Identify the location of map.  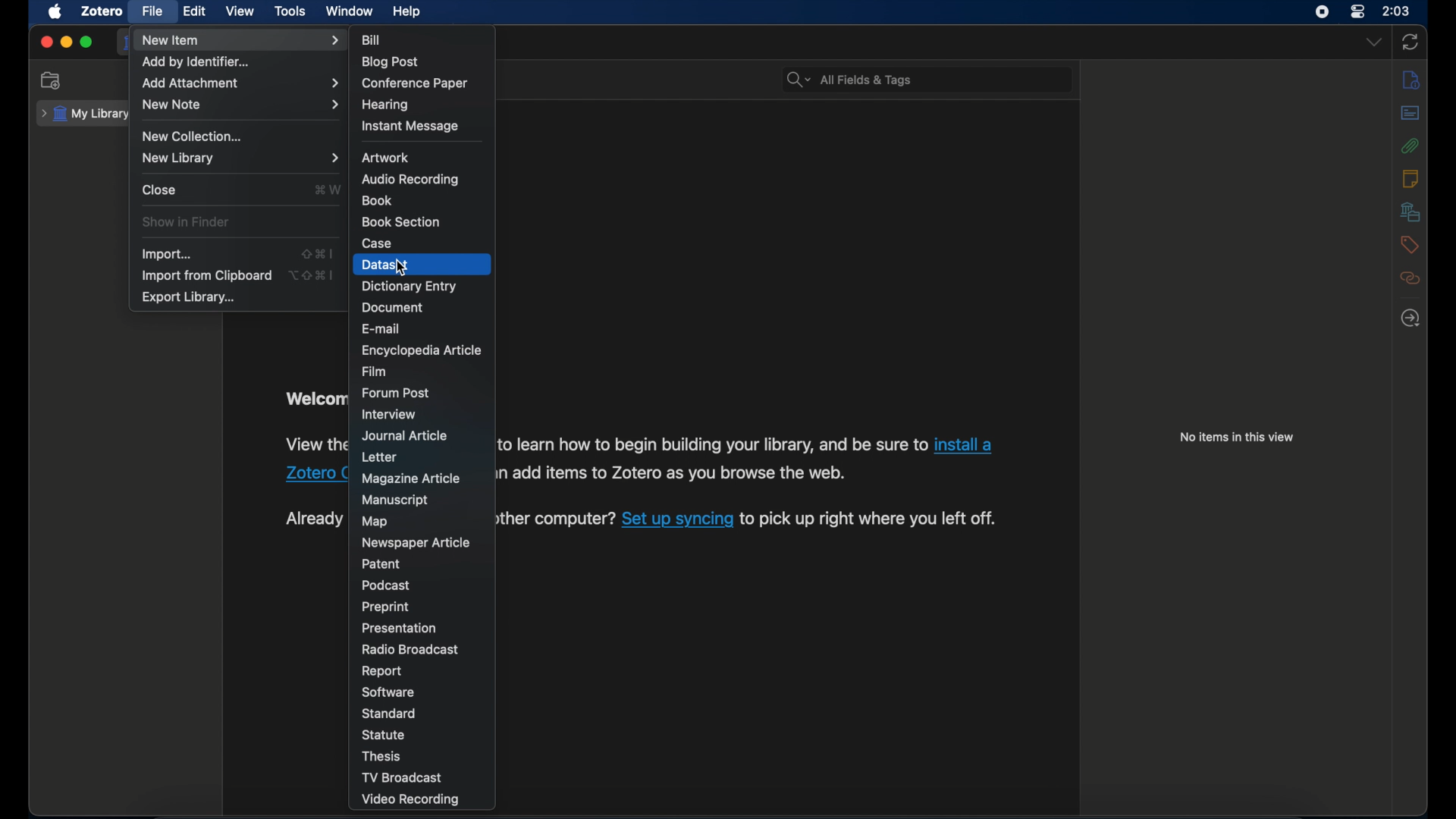
(375, 522).